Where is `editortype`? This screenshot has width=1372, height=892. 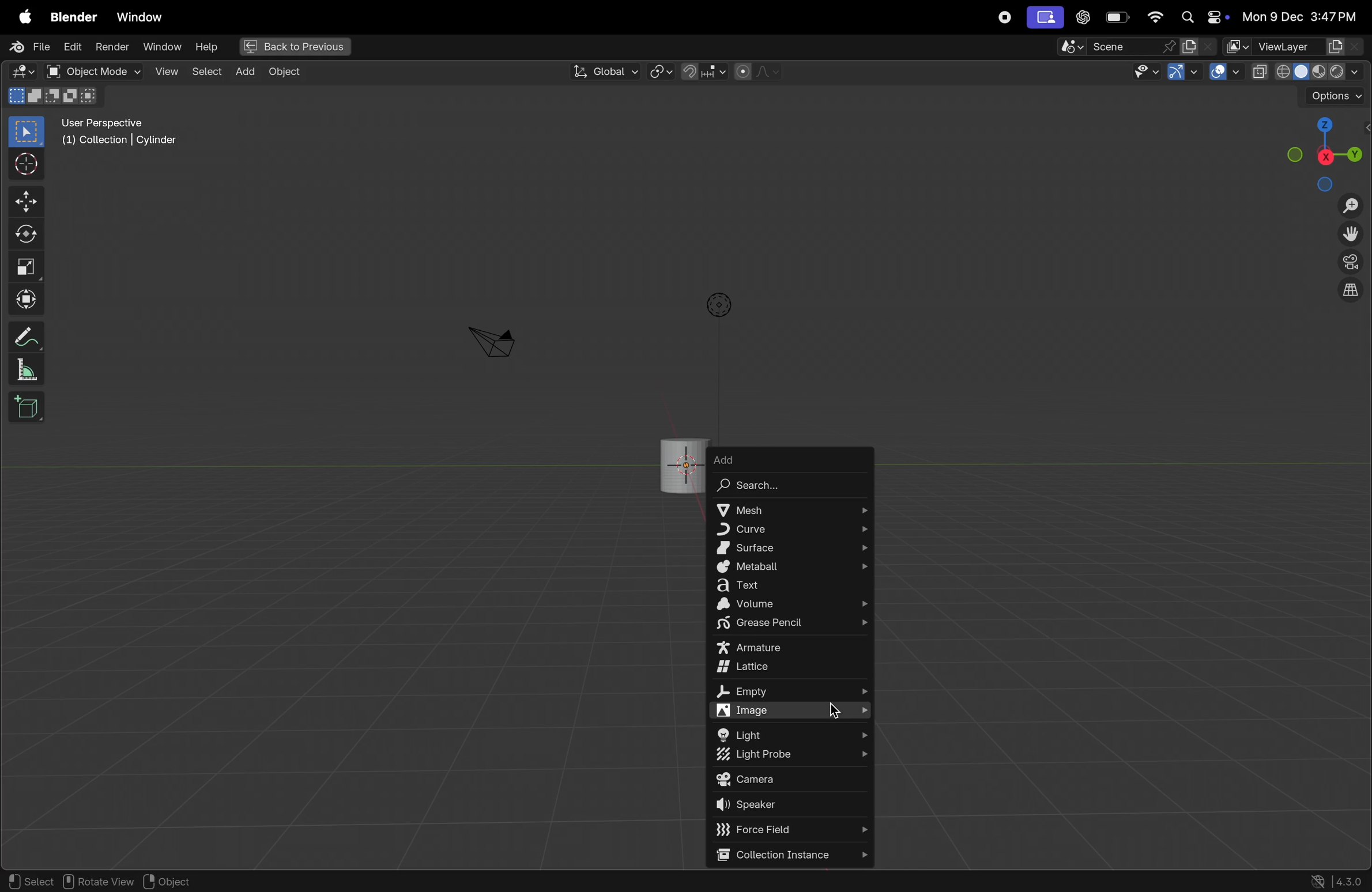
editortype is located at coordinates (26, 72).